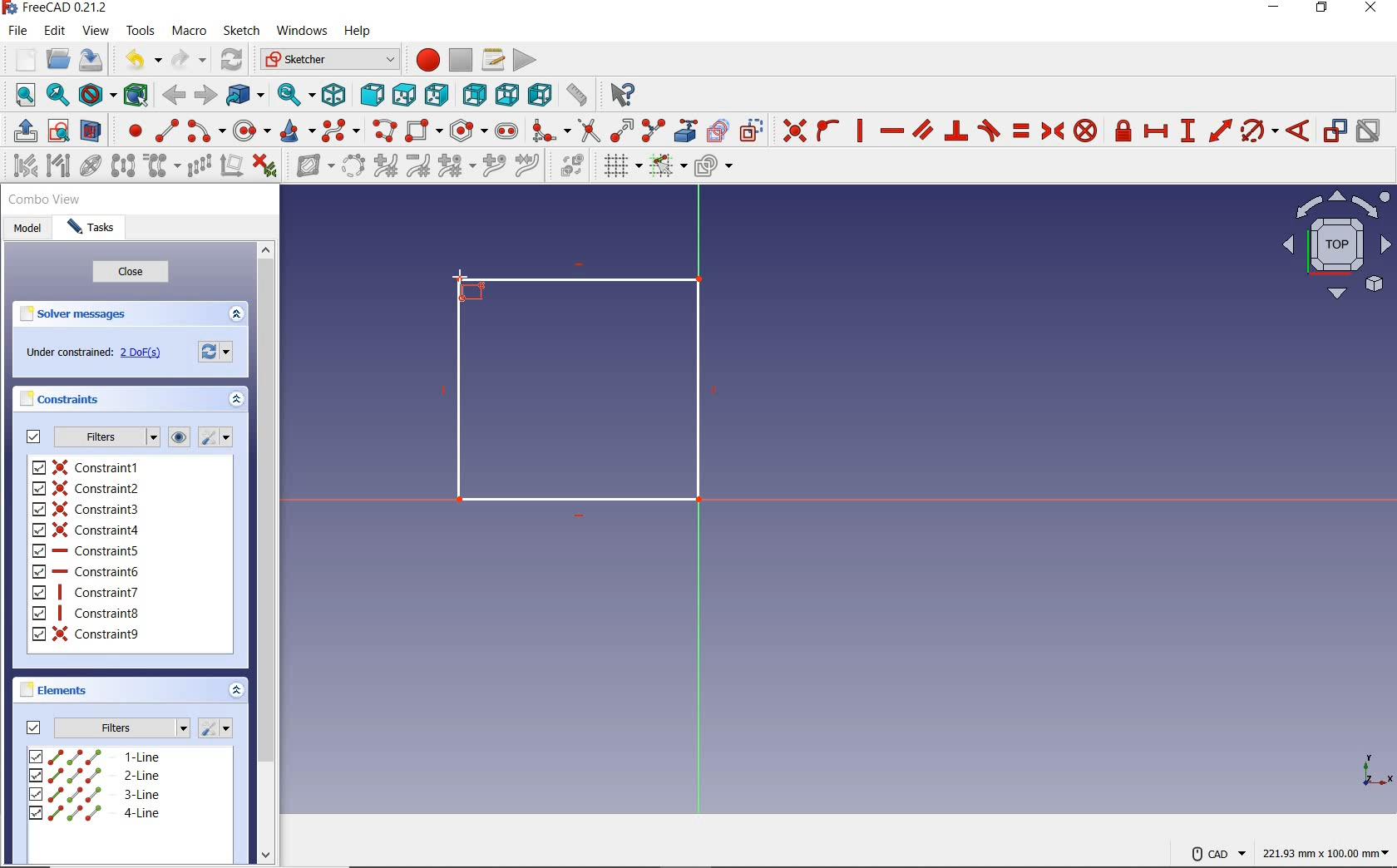  What do you see at coordinates (204, 94) in the screenshot?
I see `forward` at bounding box center [204, 94].